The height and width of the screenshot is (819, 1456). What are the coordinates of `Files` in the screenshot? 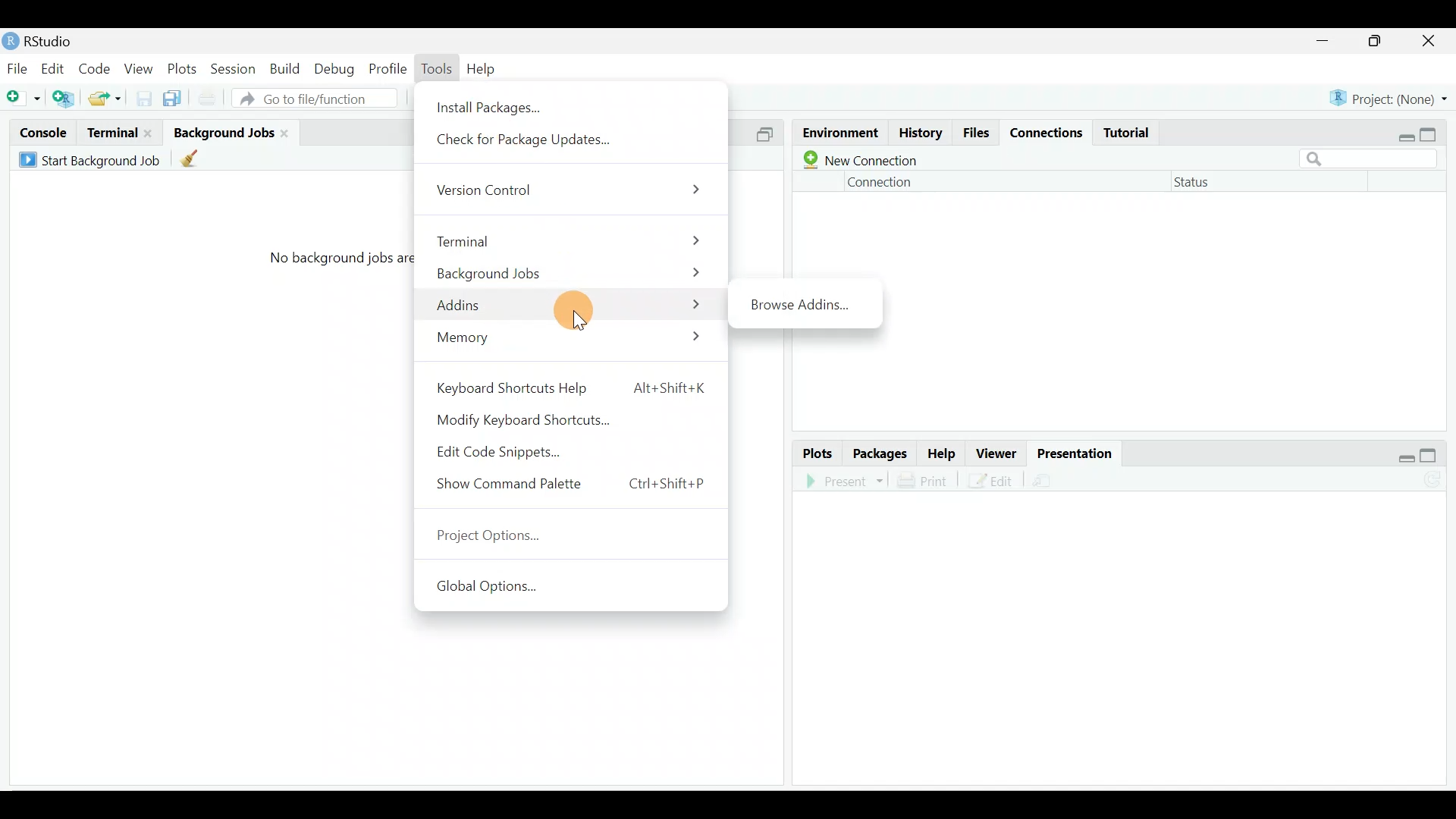 It's located at (977, 133).